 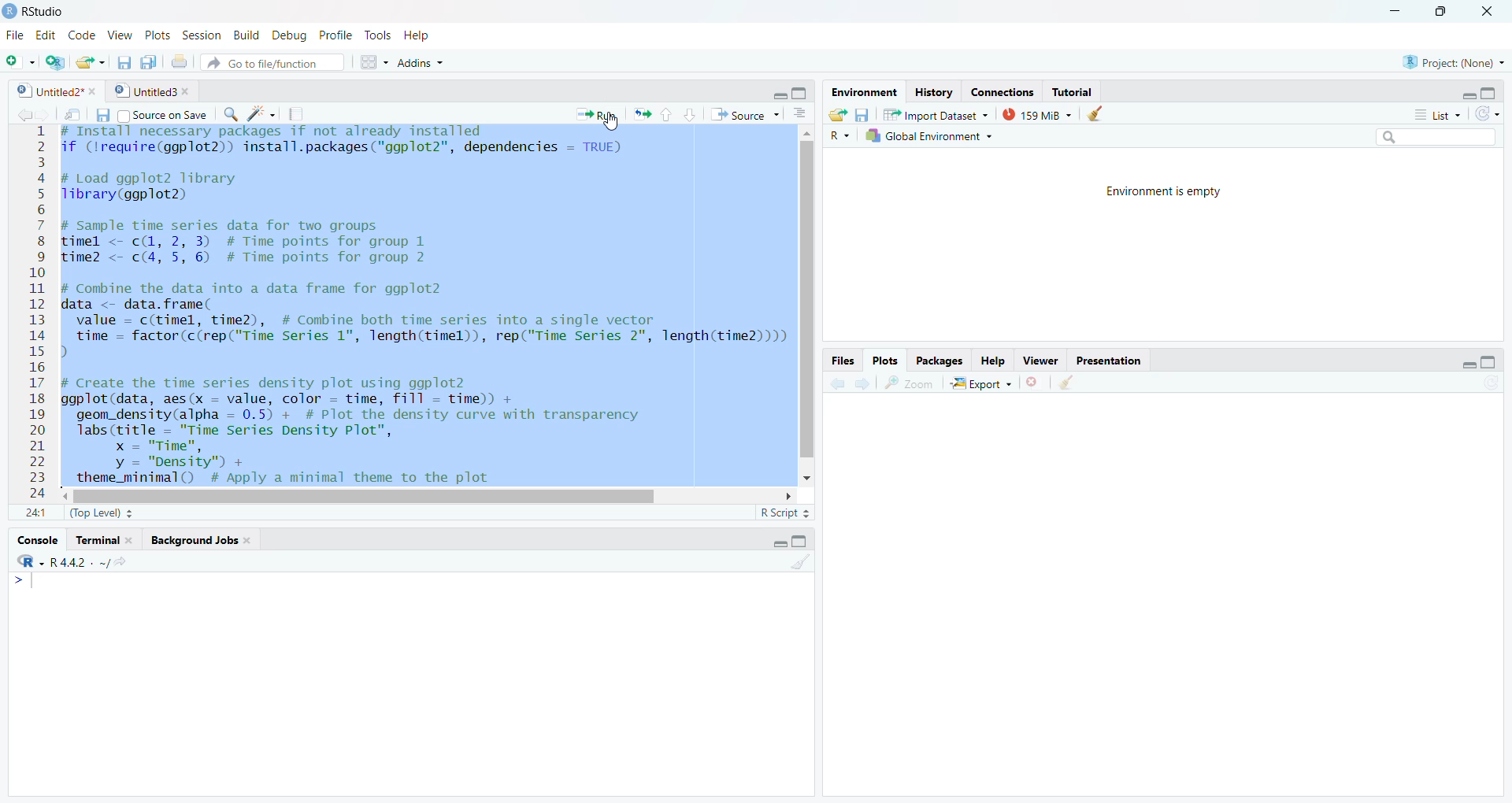 I want to click on Project: (None), so click(x=1454, y=62).